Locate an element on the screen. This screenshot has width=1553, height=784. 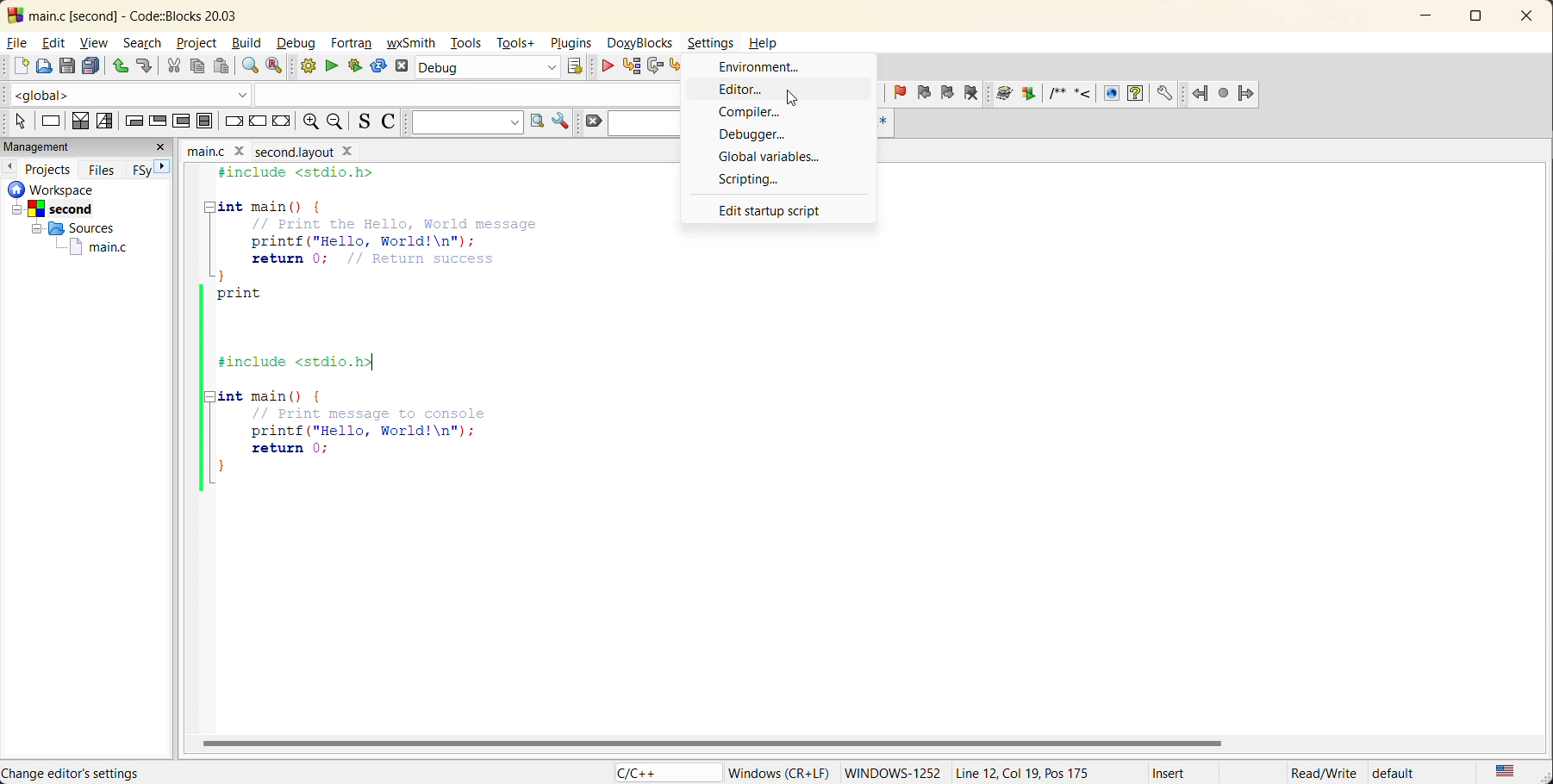
app name and file name is located at coordinates (169, 15).